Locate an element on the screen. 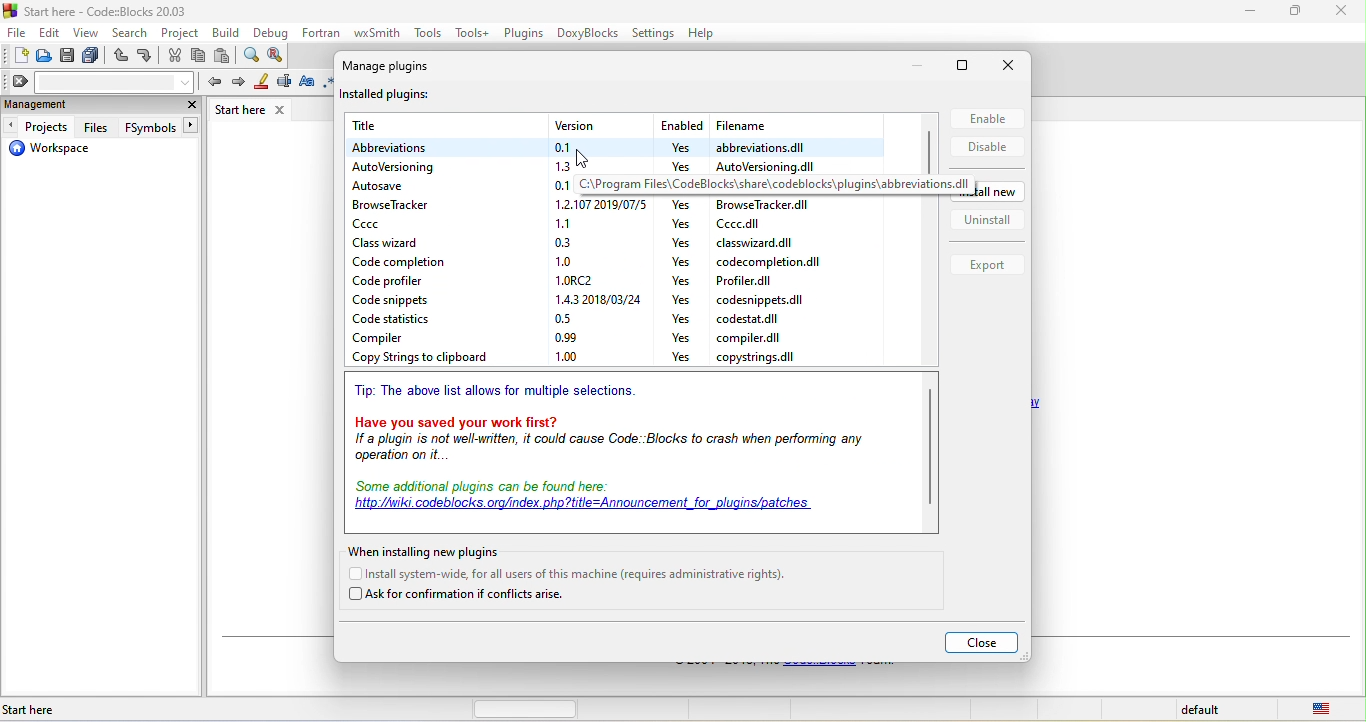 This screenshot has height=722, width=1366. prev is located at coordinates (211, 80).